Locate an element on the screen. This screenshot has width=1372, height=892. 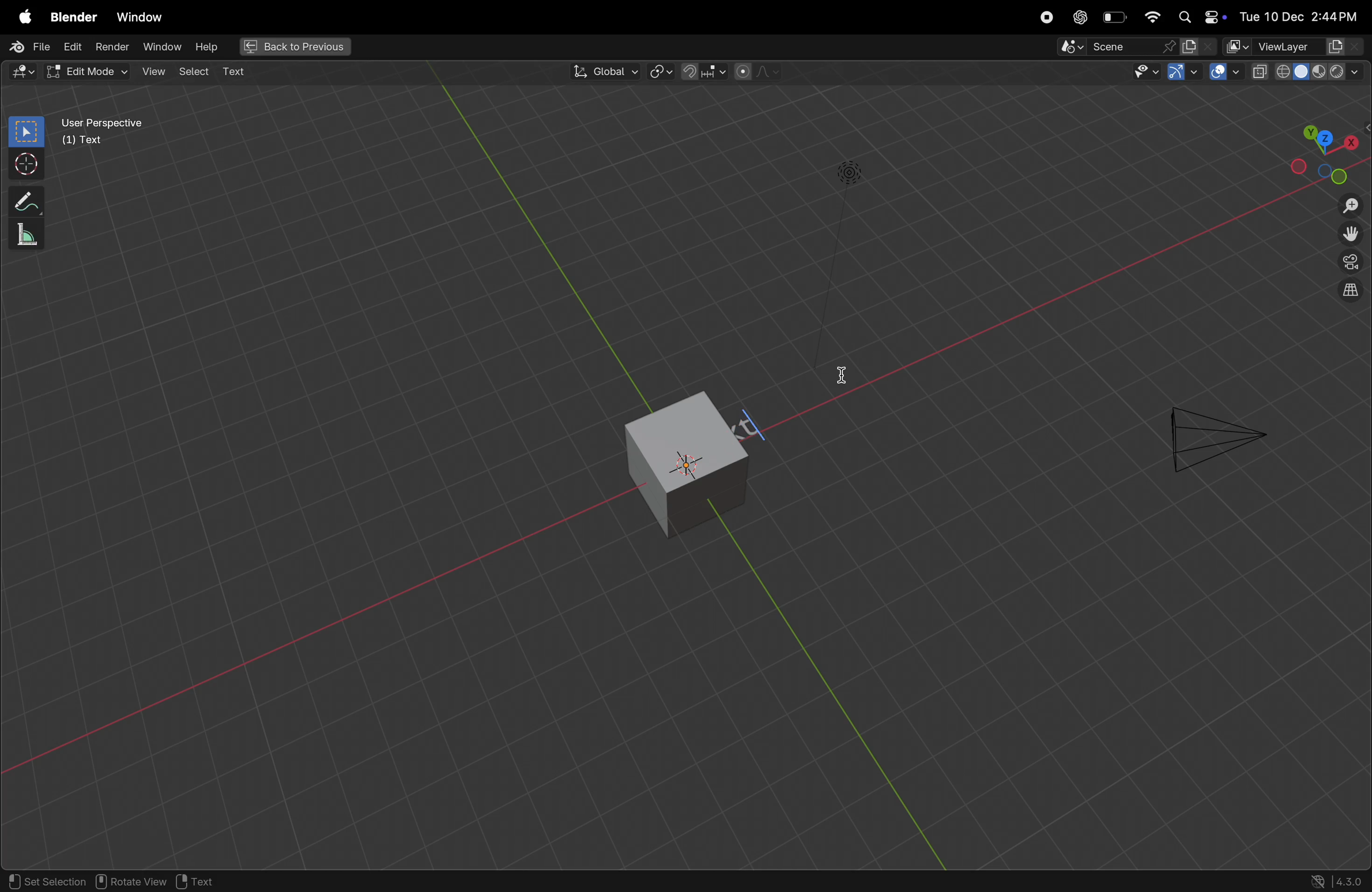
object mode is located at coordinates (95, 72).